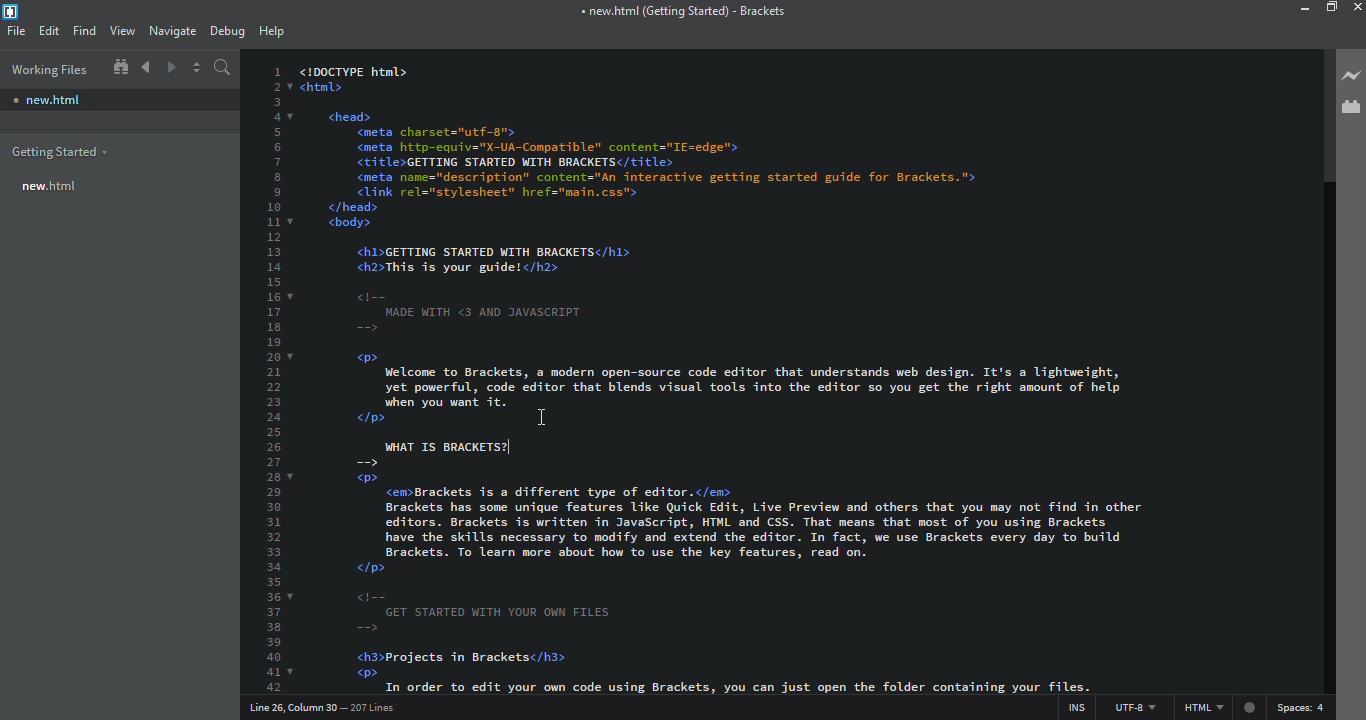 The width and height of the screenshot is (1366, 720). Describe the element at coordinates (1320, 113) in the screenshot. I see `scroll bar` at that location.